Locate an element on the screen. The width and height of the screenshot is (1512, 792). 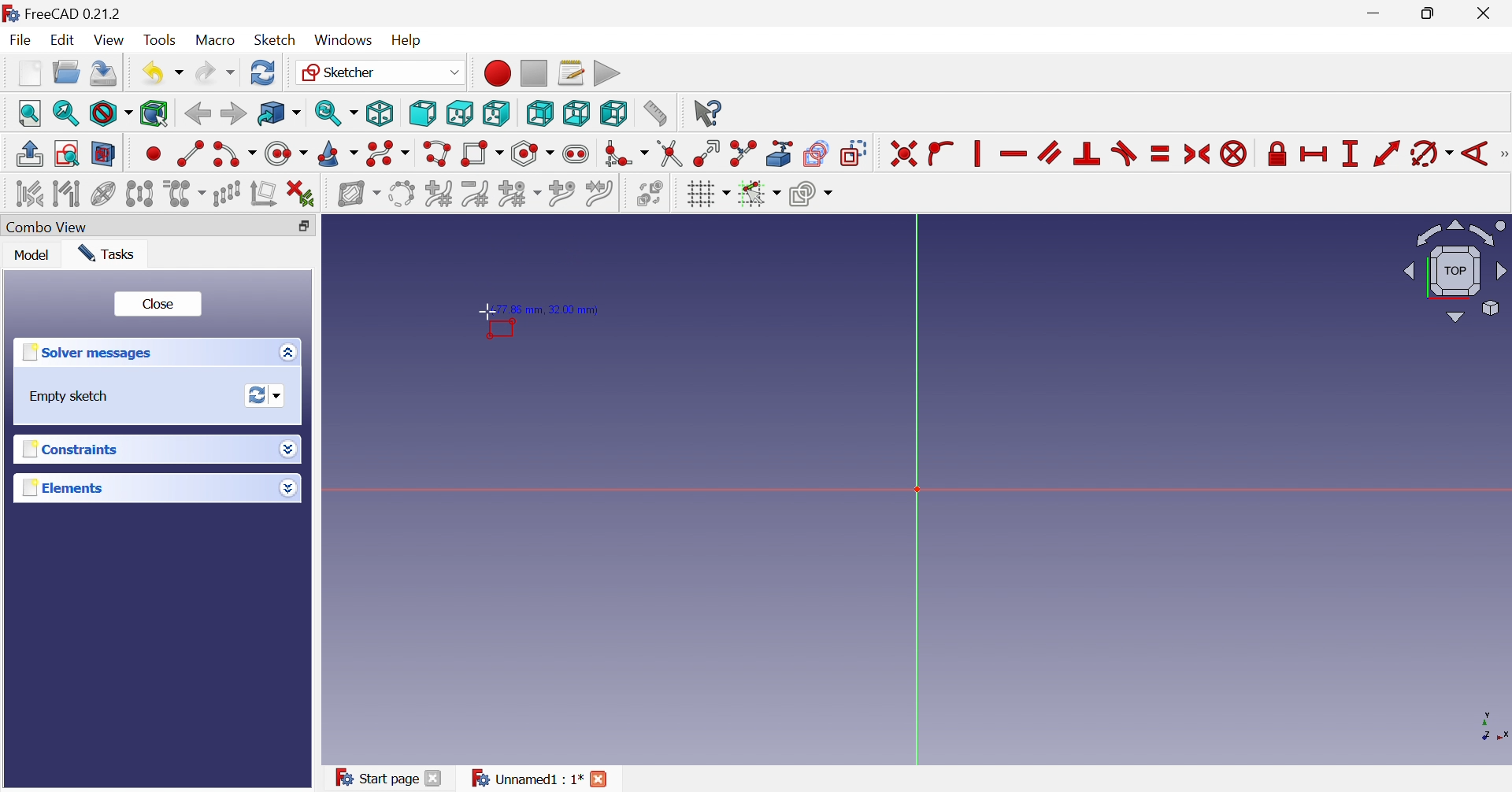
Constrain symmertical is located at coordinates (1198, 154).